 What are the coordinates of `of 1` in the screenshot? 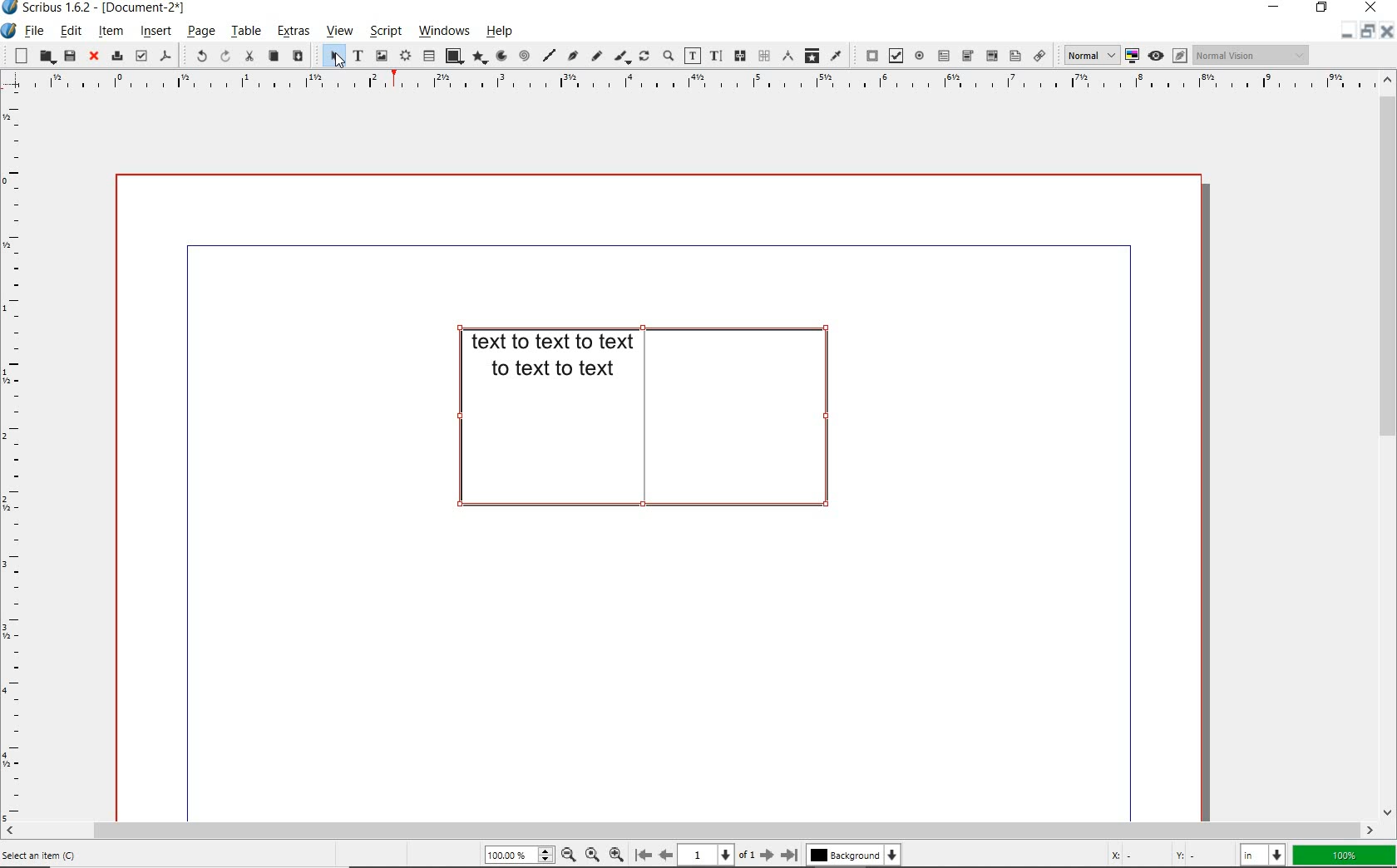 It's located at (748, 853).